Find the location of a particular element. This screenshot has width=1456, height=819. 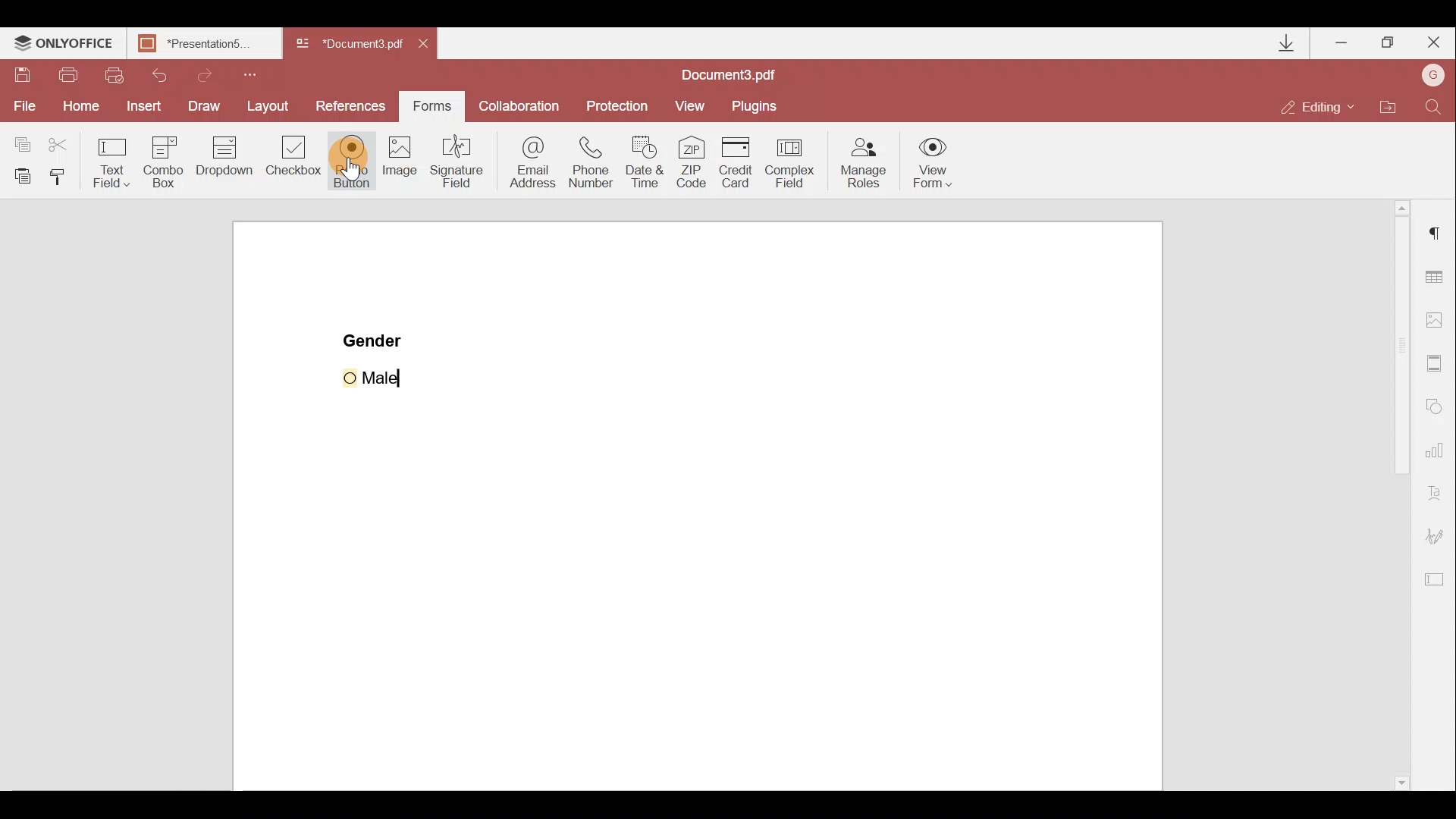

Collaboration is located at coordinates (523, 105).